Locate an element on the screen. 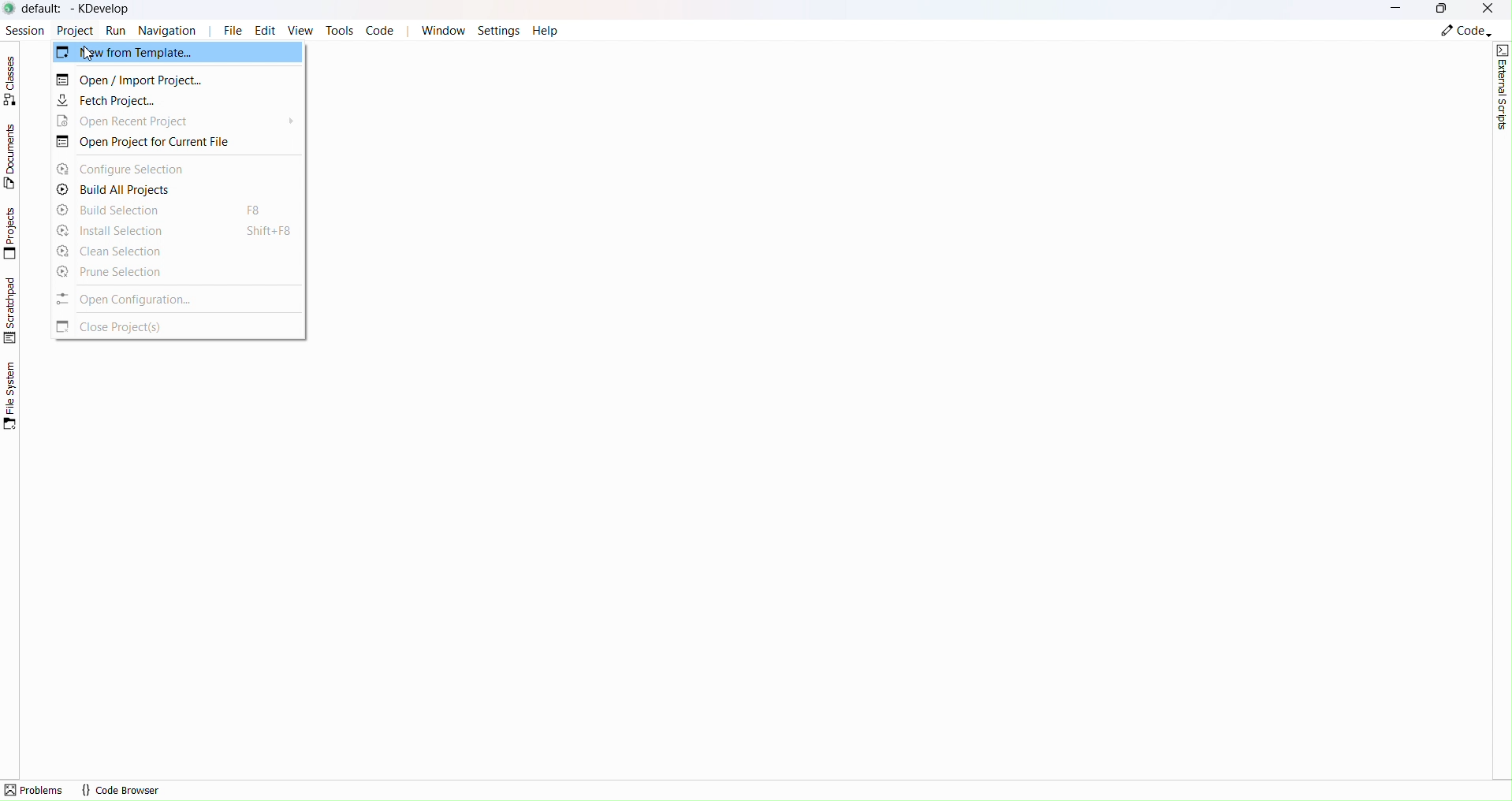  tools is located at coordinates (339, 30).